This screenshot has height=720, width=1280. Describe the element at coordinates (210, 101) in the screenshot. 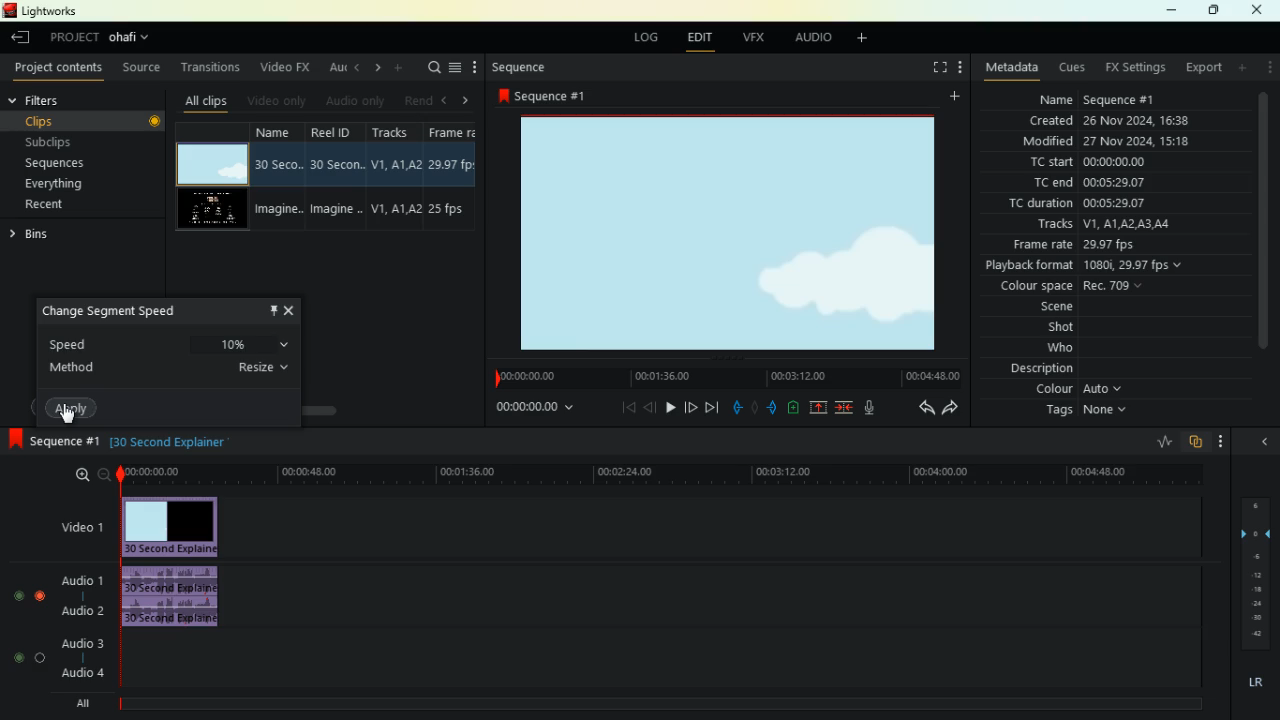

I see `all clips` at that location.